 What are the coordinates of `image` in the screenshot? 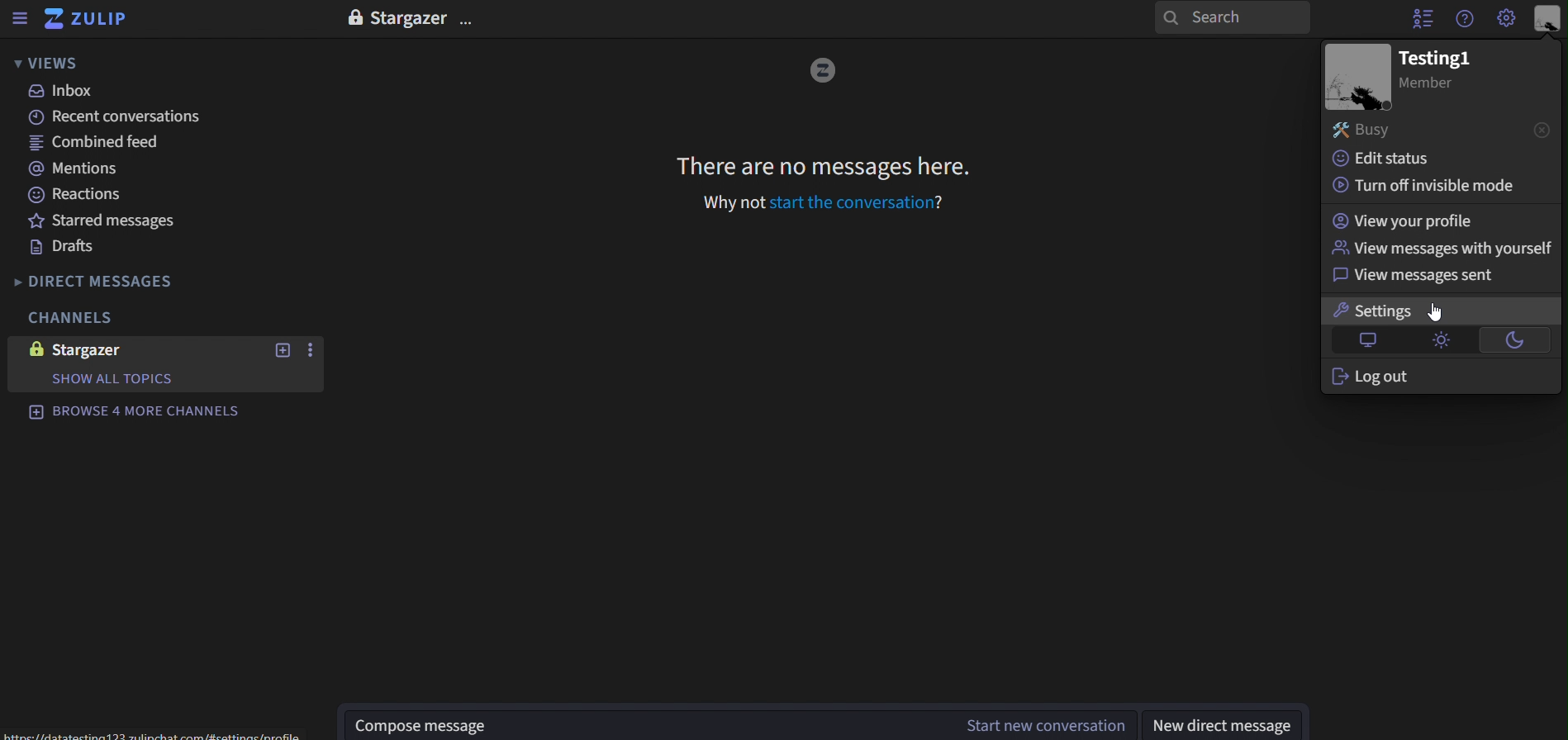 It's located at (823, 71).